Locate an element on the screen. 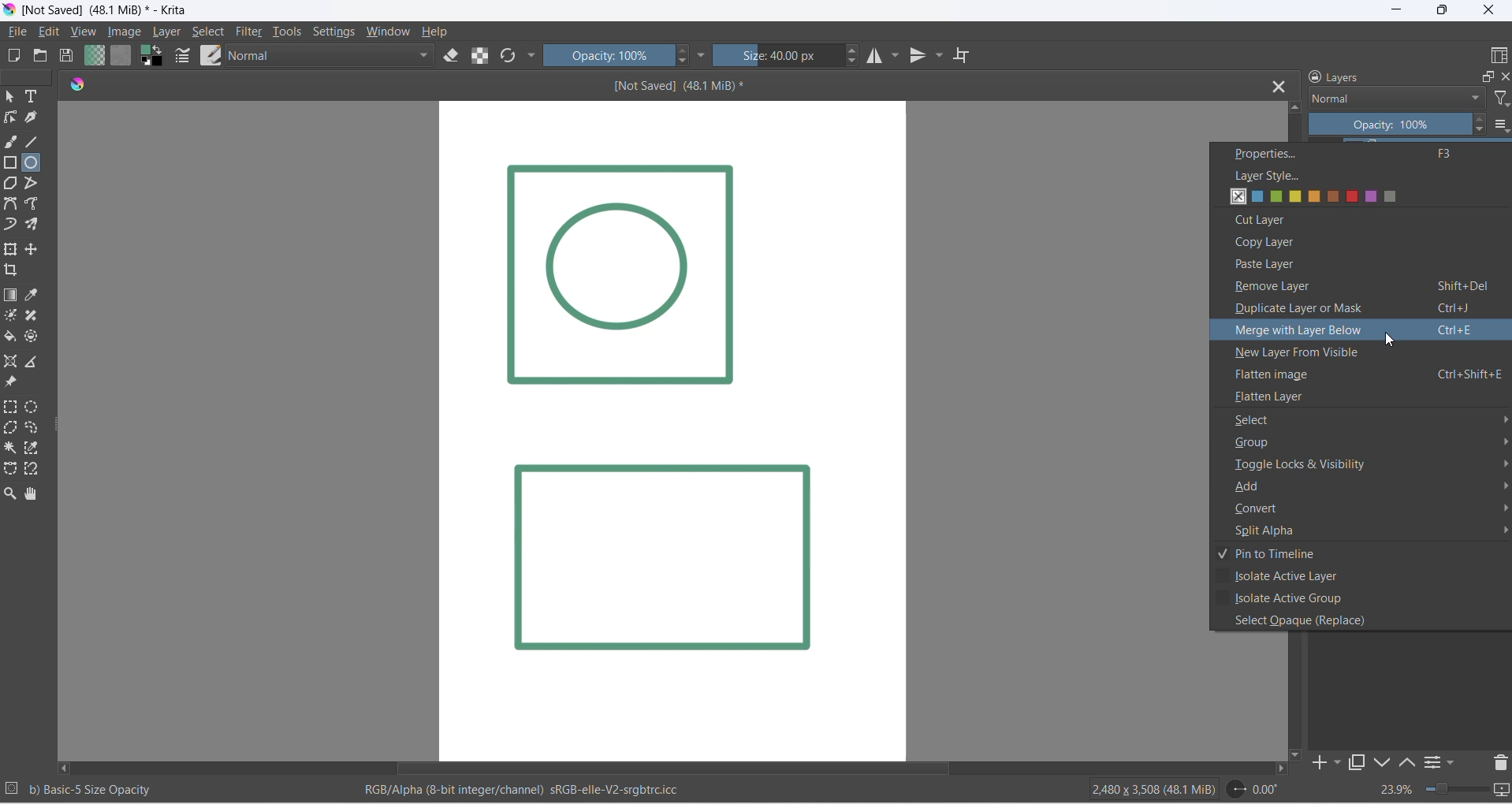 Image resolution: width=1512 pixels, height=804 pixels. Image Layer 1 is located at coordinates (622, 281).